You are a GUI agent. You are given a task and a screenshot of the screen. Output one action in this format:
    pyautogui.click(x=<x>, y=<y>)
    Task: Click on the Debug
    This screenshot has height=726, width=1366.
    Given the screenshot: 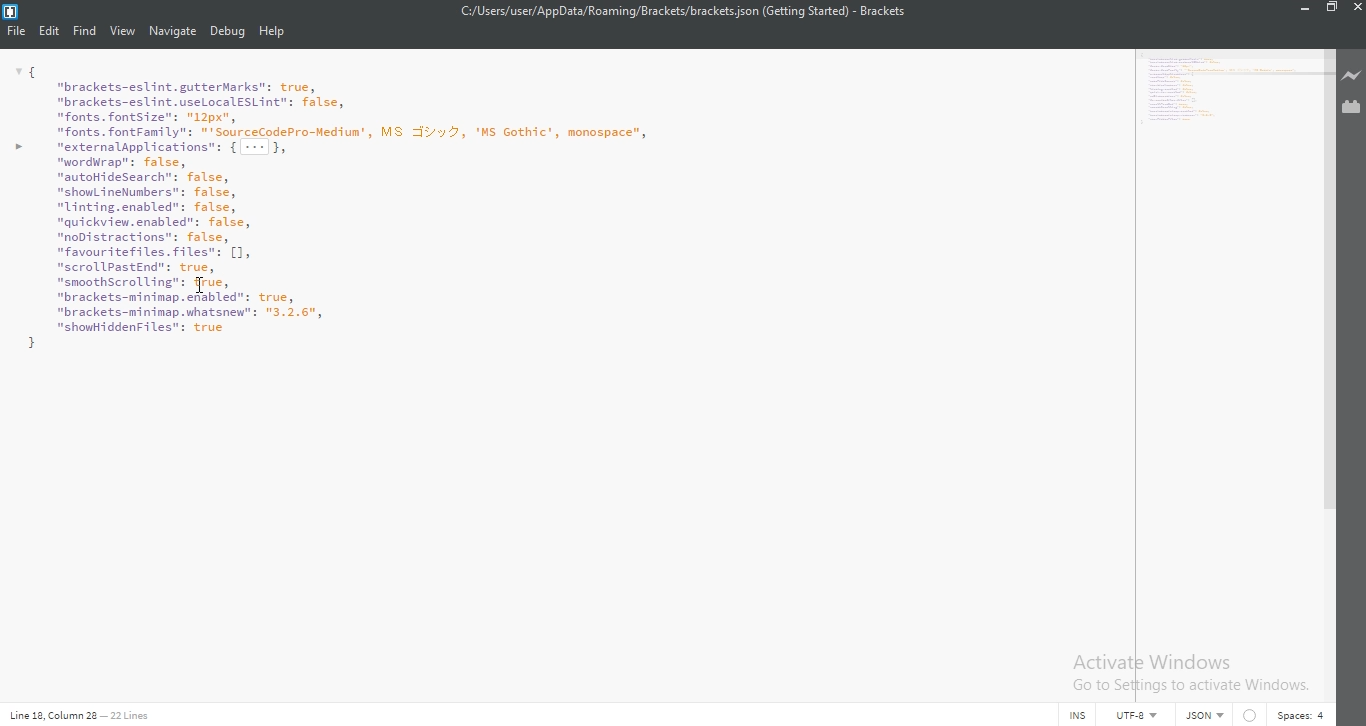 What is the action you would take?
    pyautogui.click(x=227, y=33)
    